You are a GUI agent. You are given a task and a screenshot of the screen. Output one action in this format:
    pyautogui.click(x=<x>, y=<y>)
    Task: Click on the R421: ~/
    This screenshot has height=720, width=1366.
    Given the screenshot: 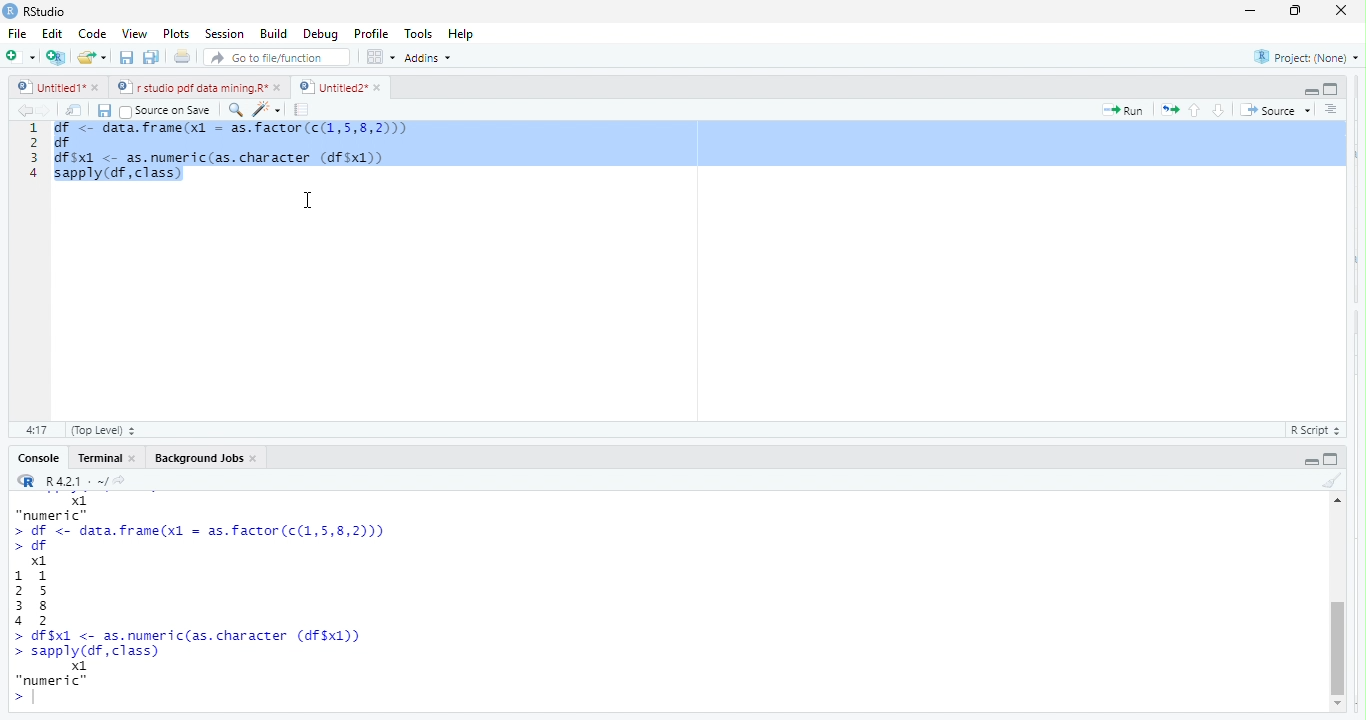 What is the action you would take?
    pyautogui.click(x=87, y=482)
    